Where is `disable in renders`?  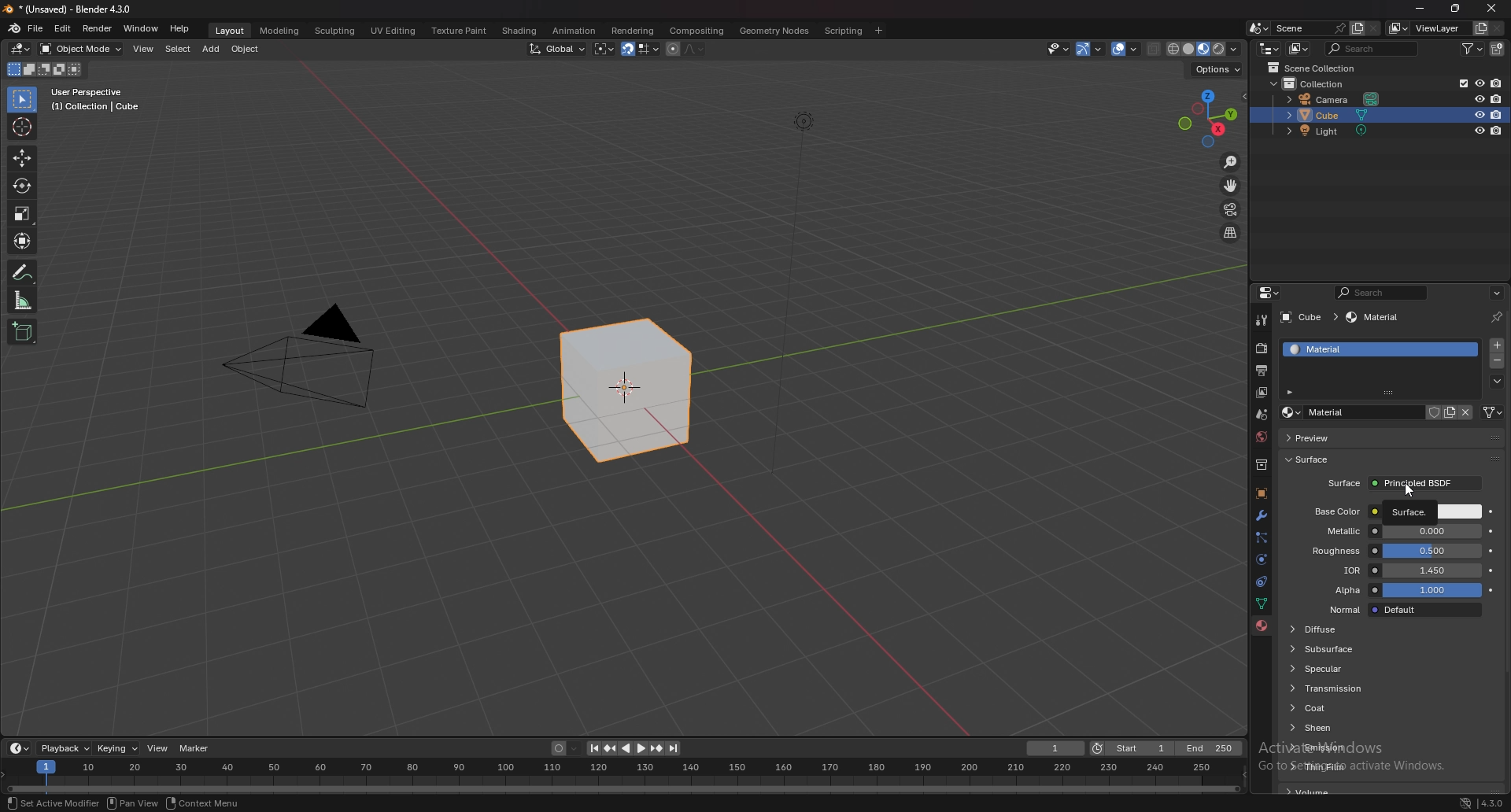 disable in renders is located at coordinates (1497, 98).